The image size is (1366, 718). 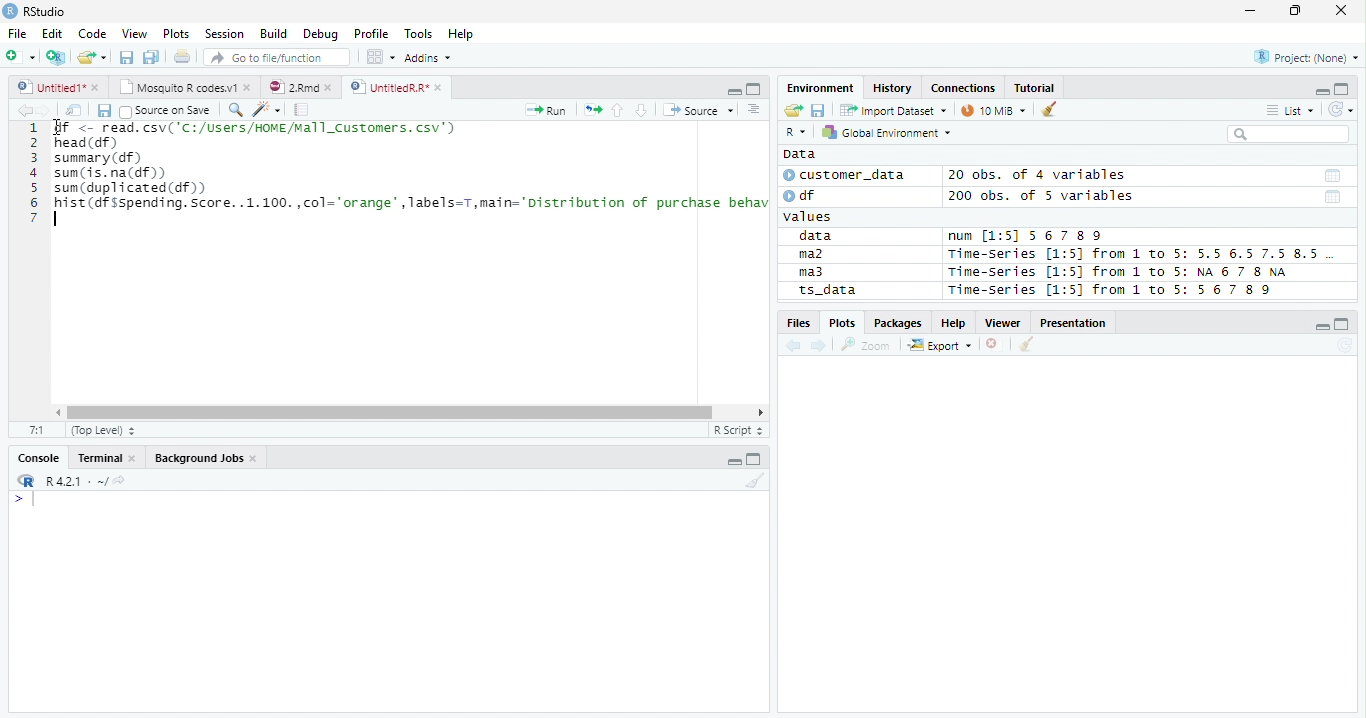 What do you see at coordinates (126, 56) in the screenshot?
I see `Save` at bounding box center [126, 56].